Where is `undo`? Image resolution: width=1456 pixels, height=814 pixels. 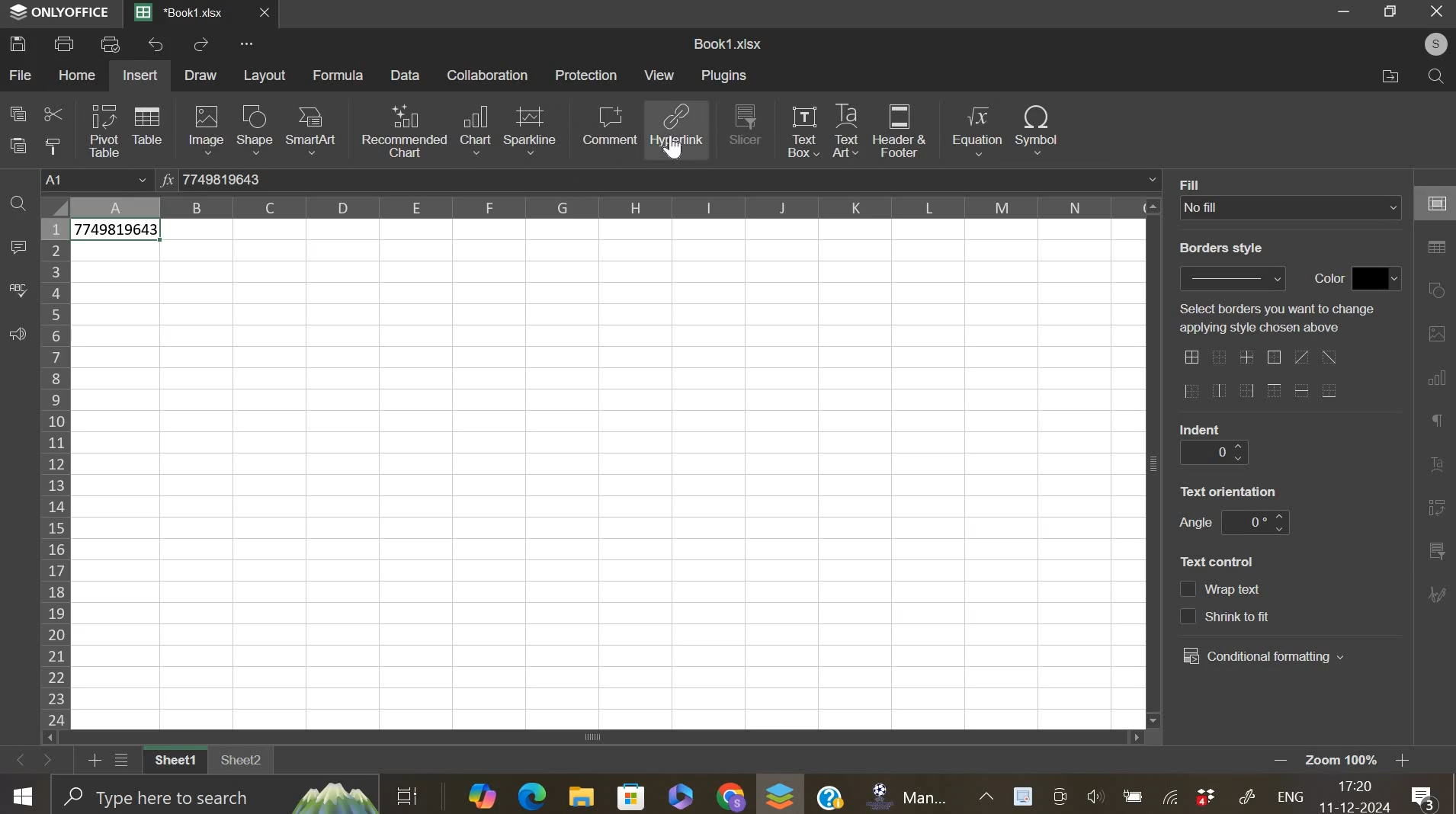 undo is located at coordinates (158, 44).